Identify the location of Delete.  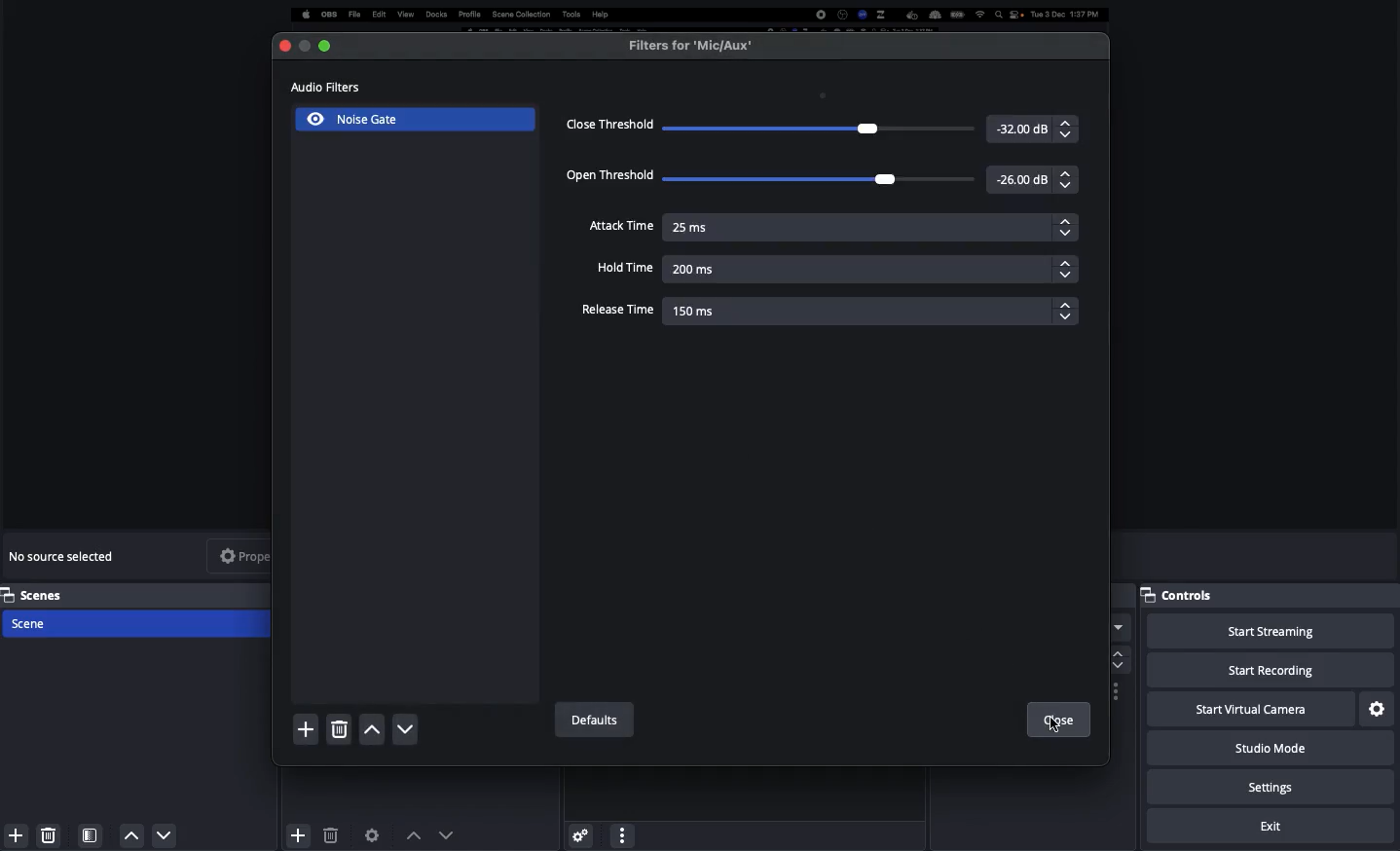
(330, 835).